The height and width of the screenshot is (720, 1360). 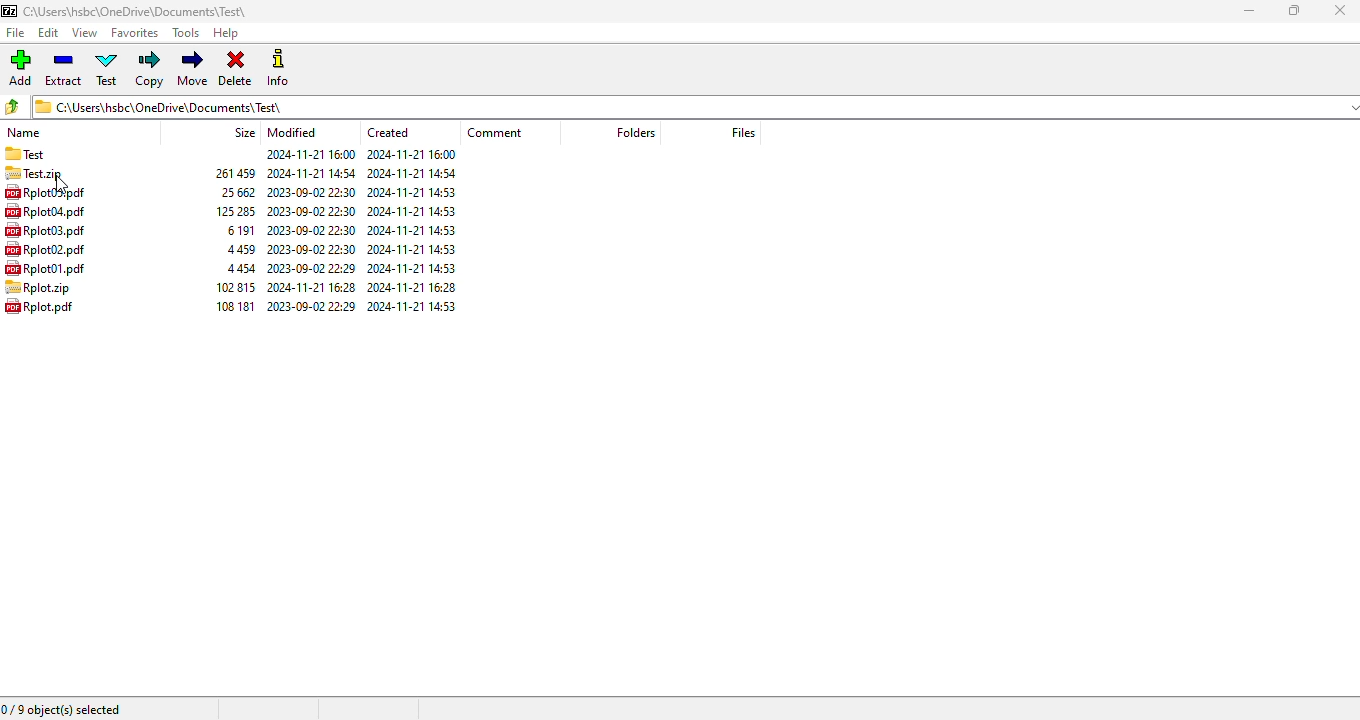 What do you see at coordinates (241, 268) in the screenshot?
I see `size` at bounding box center [241, 268].